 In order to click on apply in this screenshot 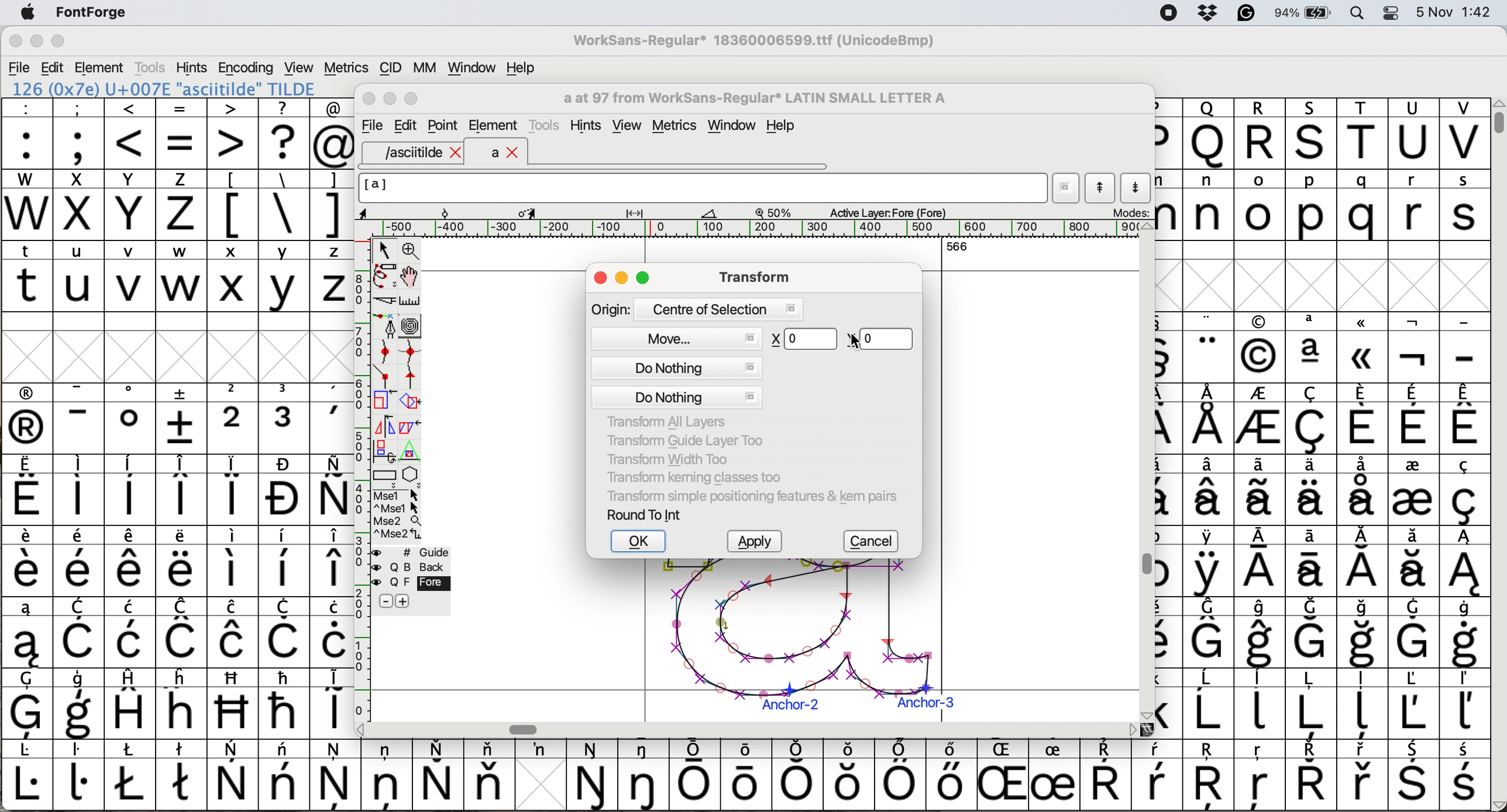, I will do `click(759, 542)`.